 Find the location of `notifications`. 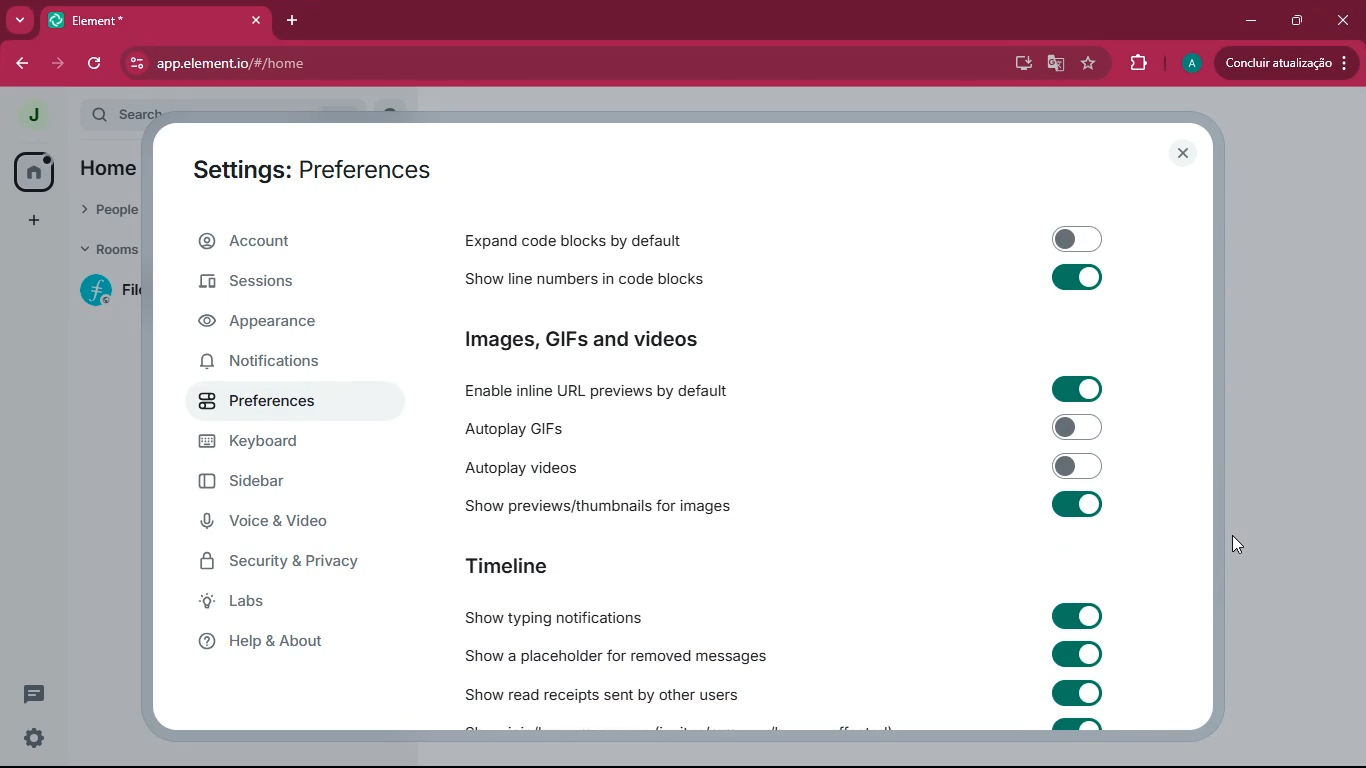

notifications is located at coordinates (277, 365).